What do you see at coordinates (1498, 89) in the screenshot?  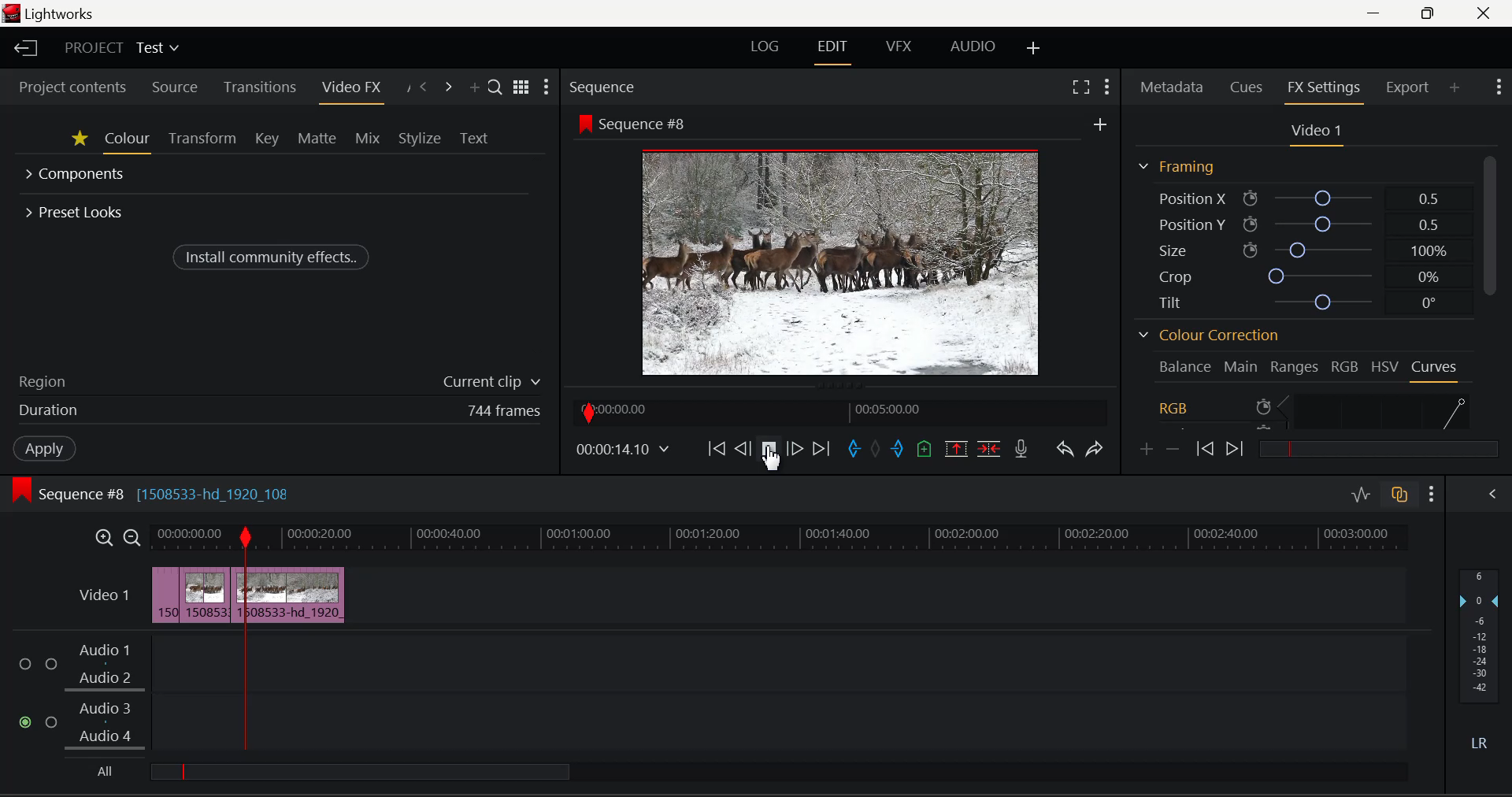 I see `Show Settings` at bounding box center [1498, 89].